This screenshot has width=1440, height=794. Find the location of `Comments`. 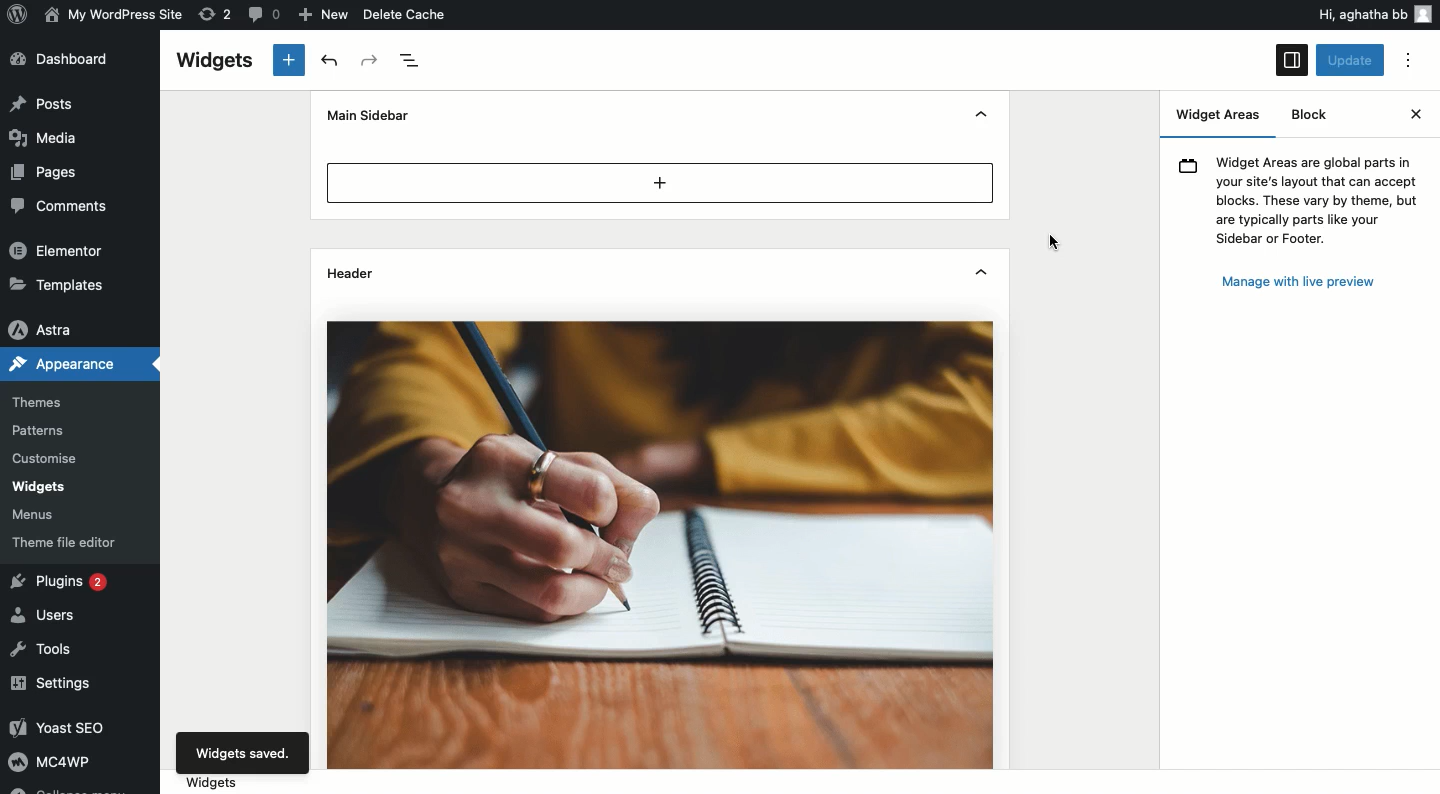

Comments is located at coordinates (54, 205).